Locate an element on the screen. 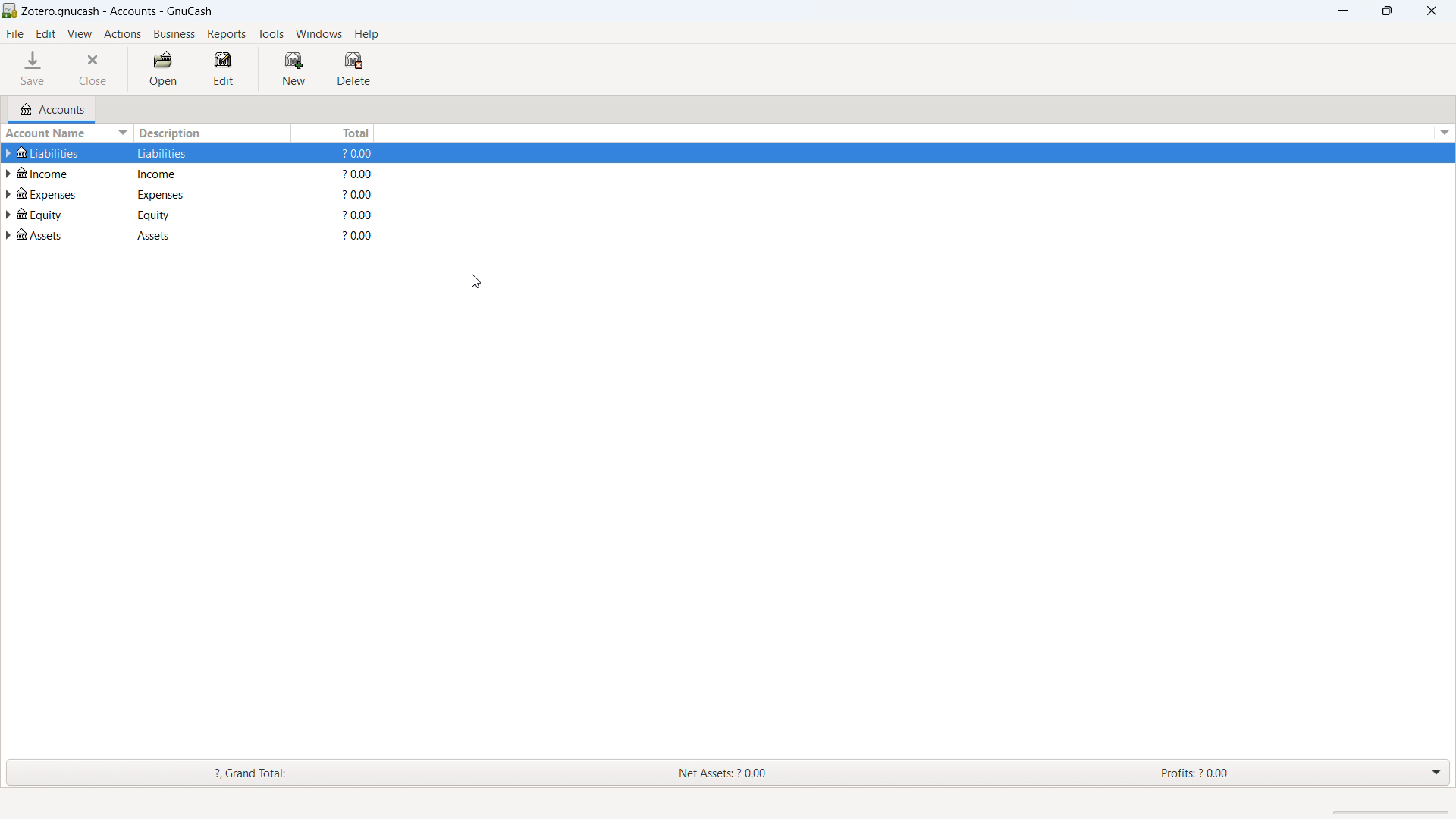 The width and height of the screenshot is (1456, 819). reports is located at coordinates (227, 34).